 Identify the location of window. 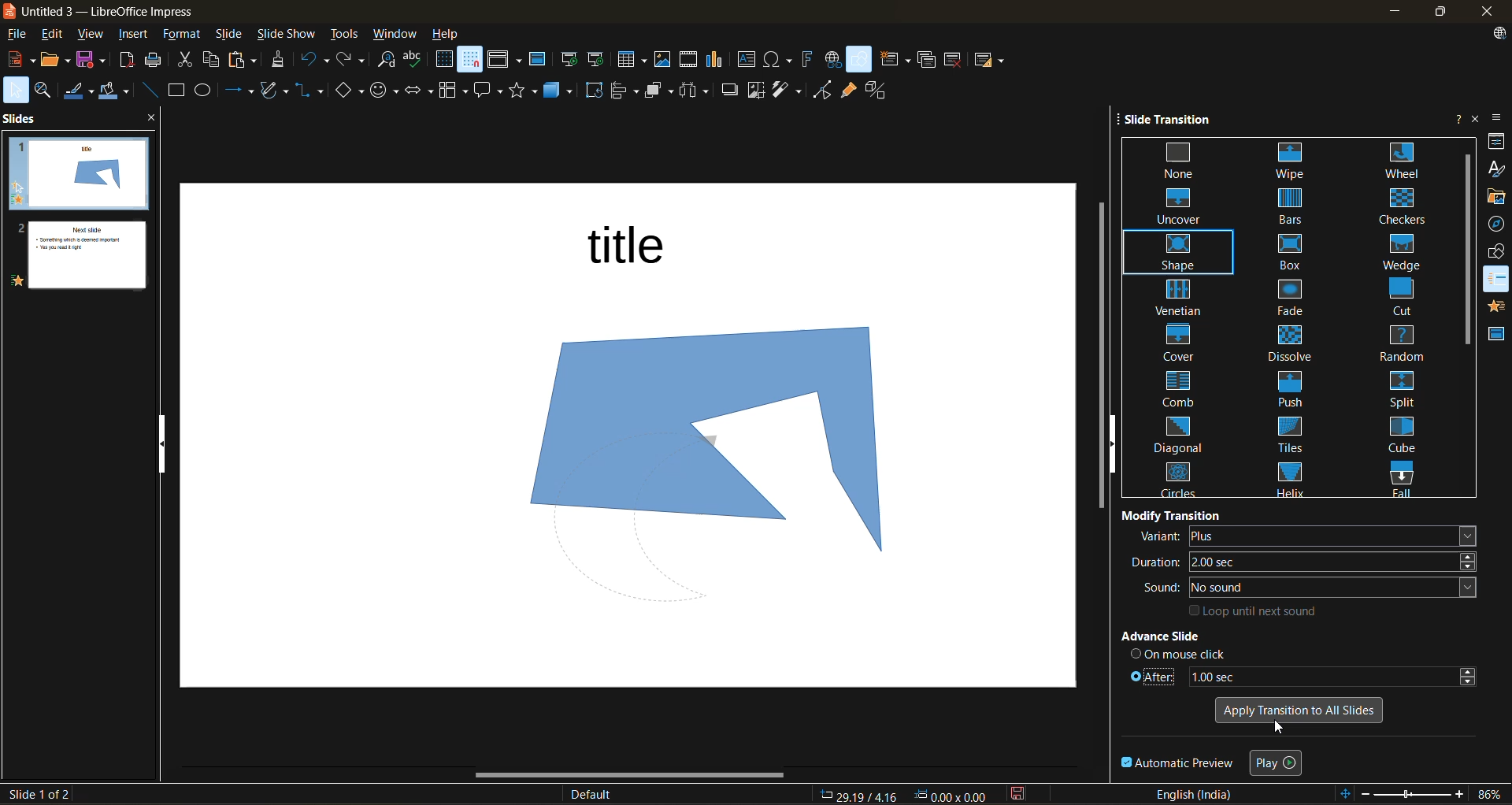
(397, 34).